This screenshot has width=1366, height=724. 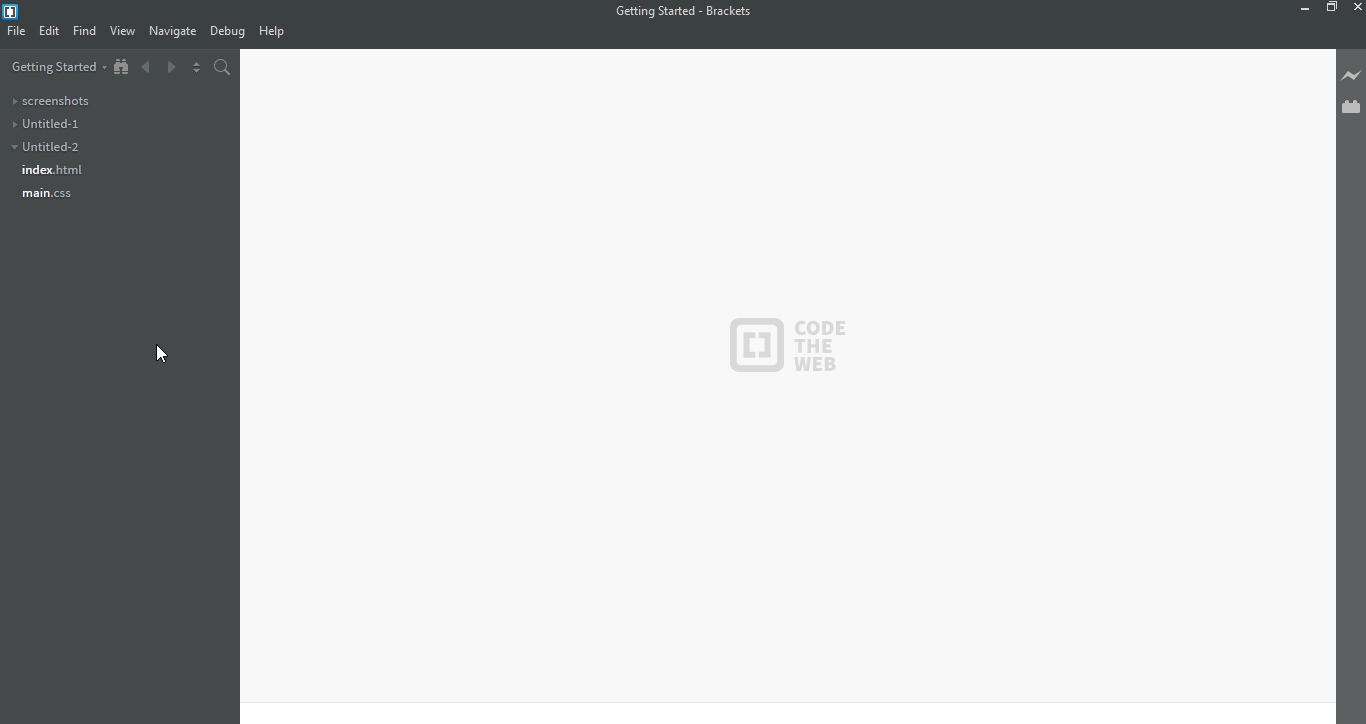 I want to click on close, so click(x=1355, y=7).